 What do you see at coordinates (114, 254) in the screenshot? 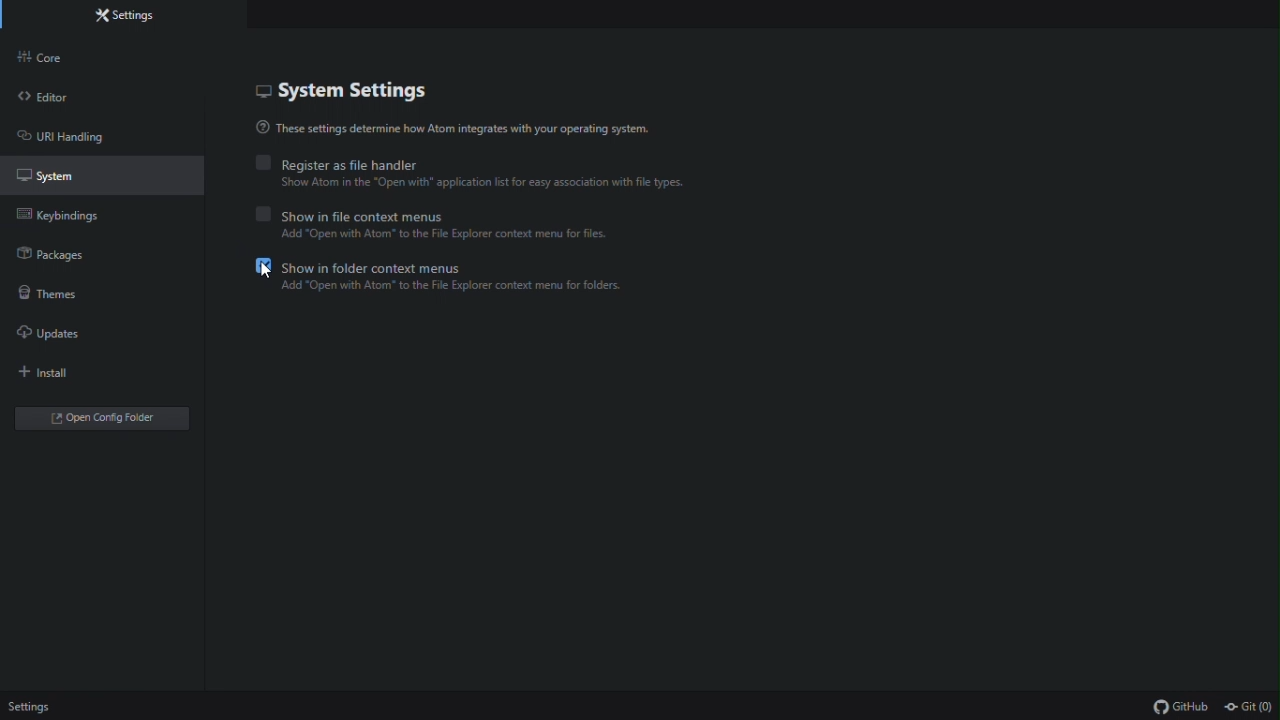
I see `Packages` at bounding box center [114, 254].